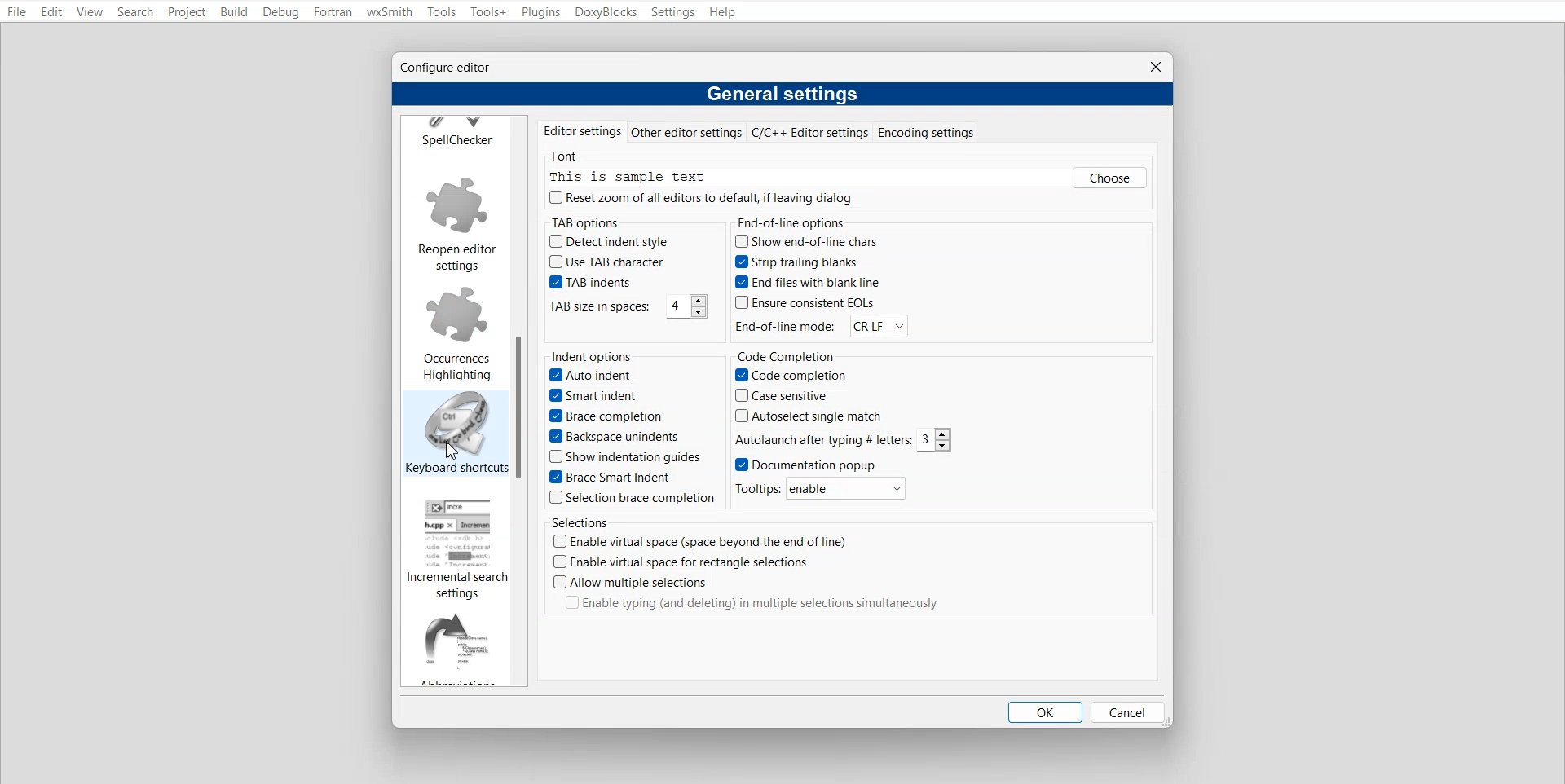 This screenshot has width=1565, height=784. What do you see at coordinates (682, 307) in the screenshot?
I see `4` at bounding box center [682, 307].